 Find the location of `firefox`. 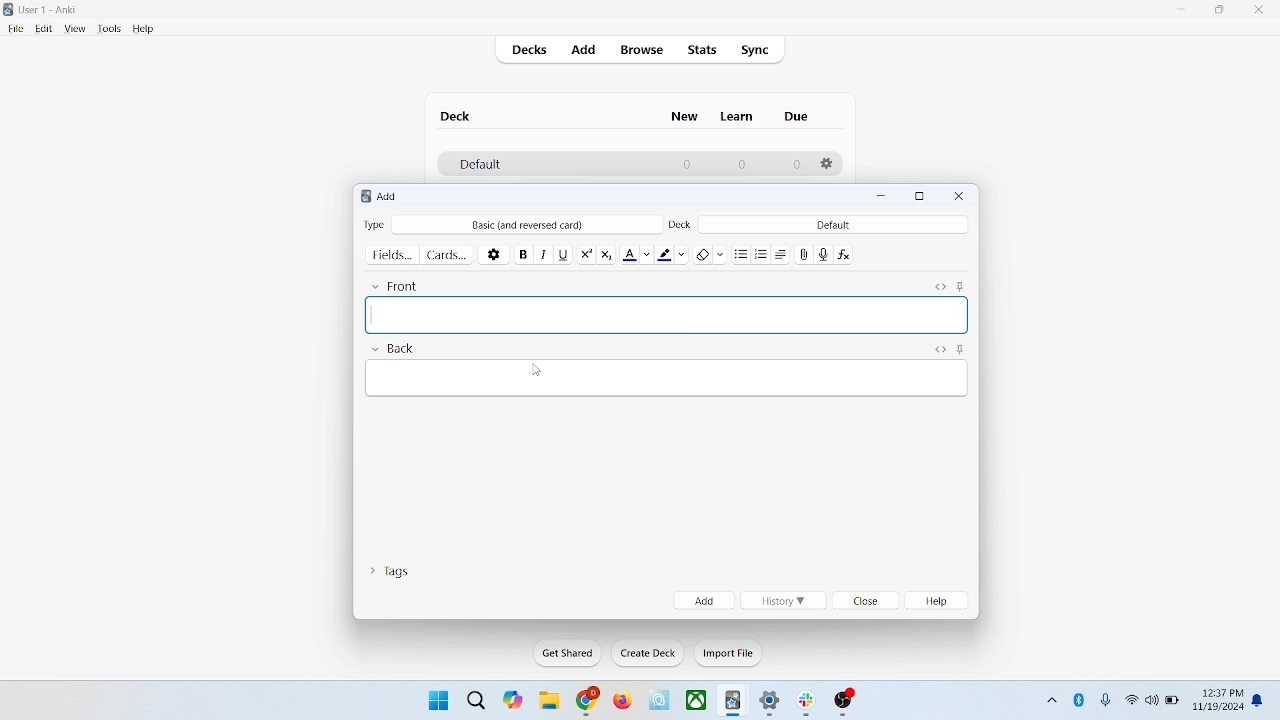

firefox is located at coordinates (622, 701).